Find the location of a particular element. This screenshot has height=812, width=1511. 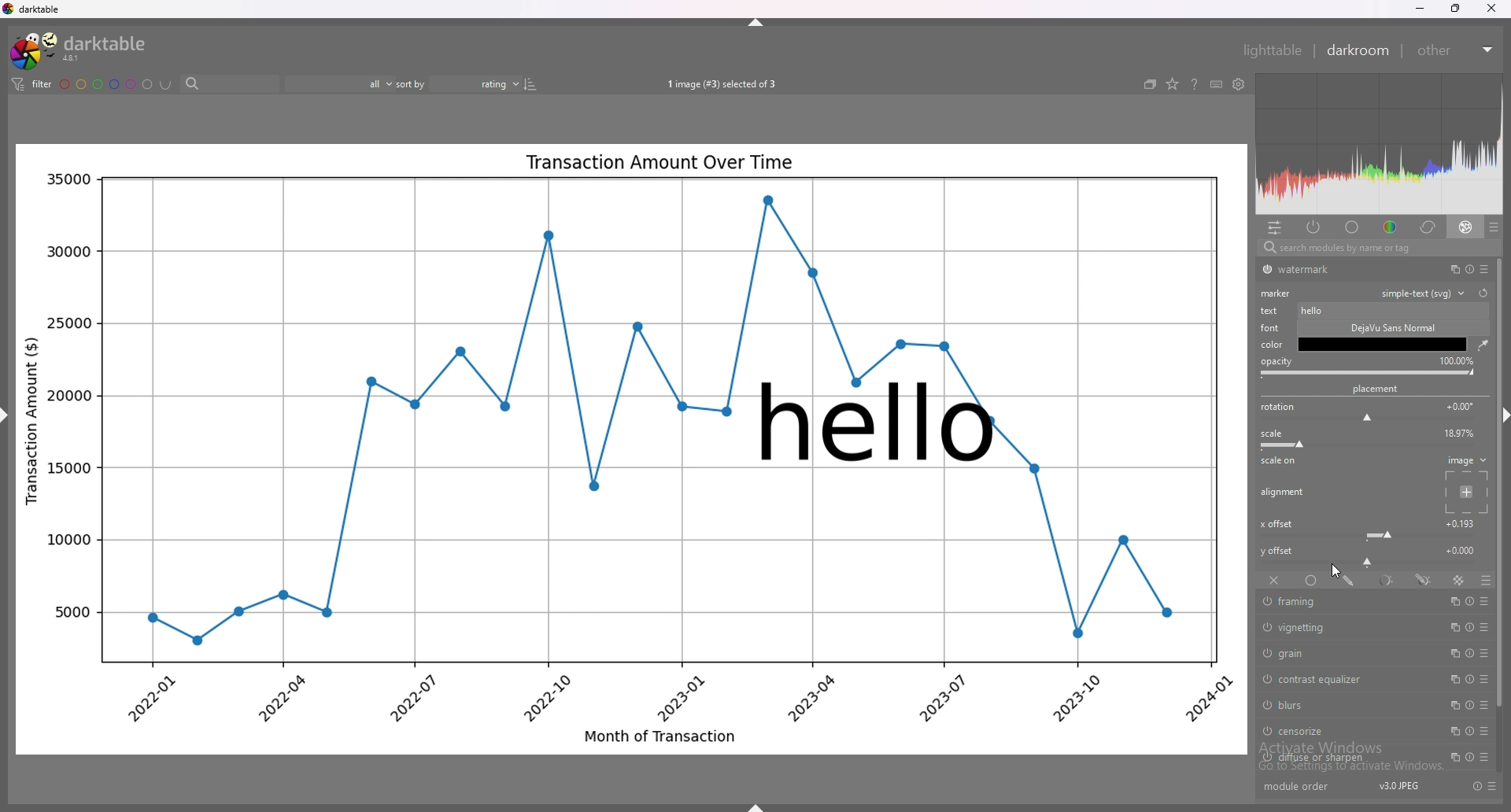

placement is located at coordinates (1467, 491).